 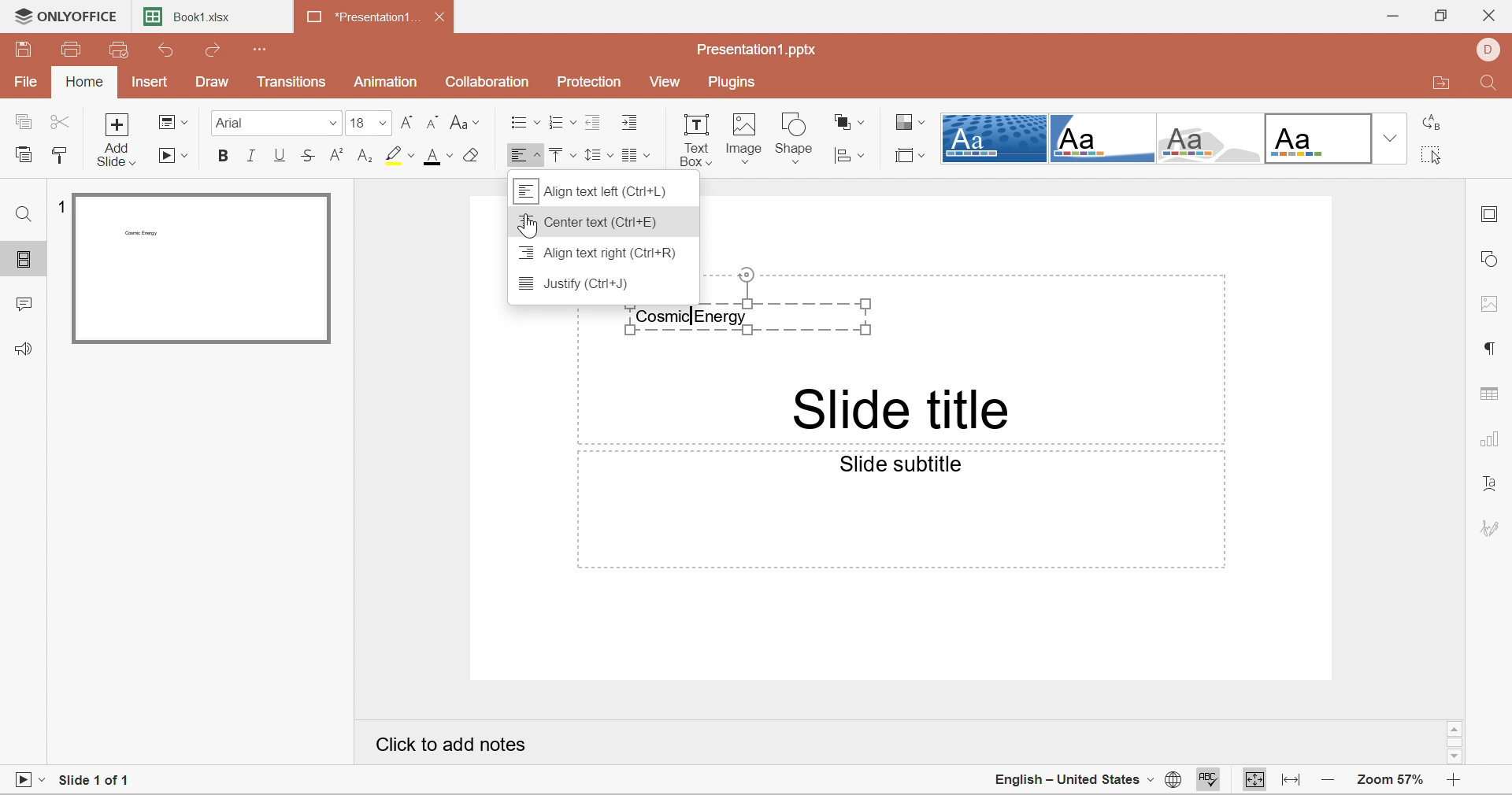 What do you see at coordinates (596, 156) in the screenshot?
I see `Line spacing` at bounding box center [596, 156].